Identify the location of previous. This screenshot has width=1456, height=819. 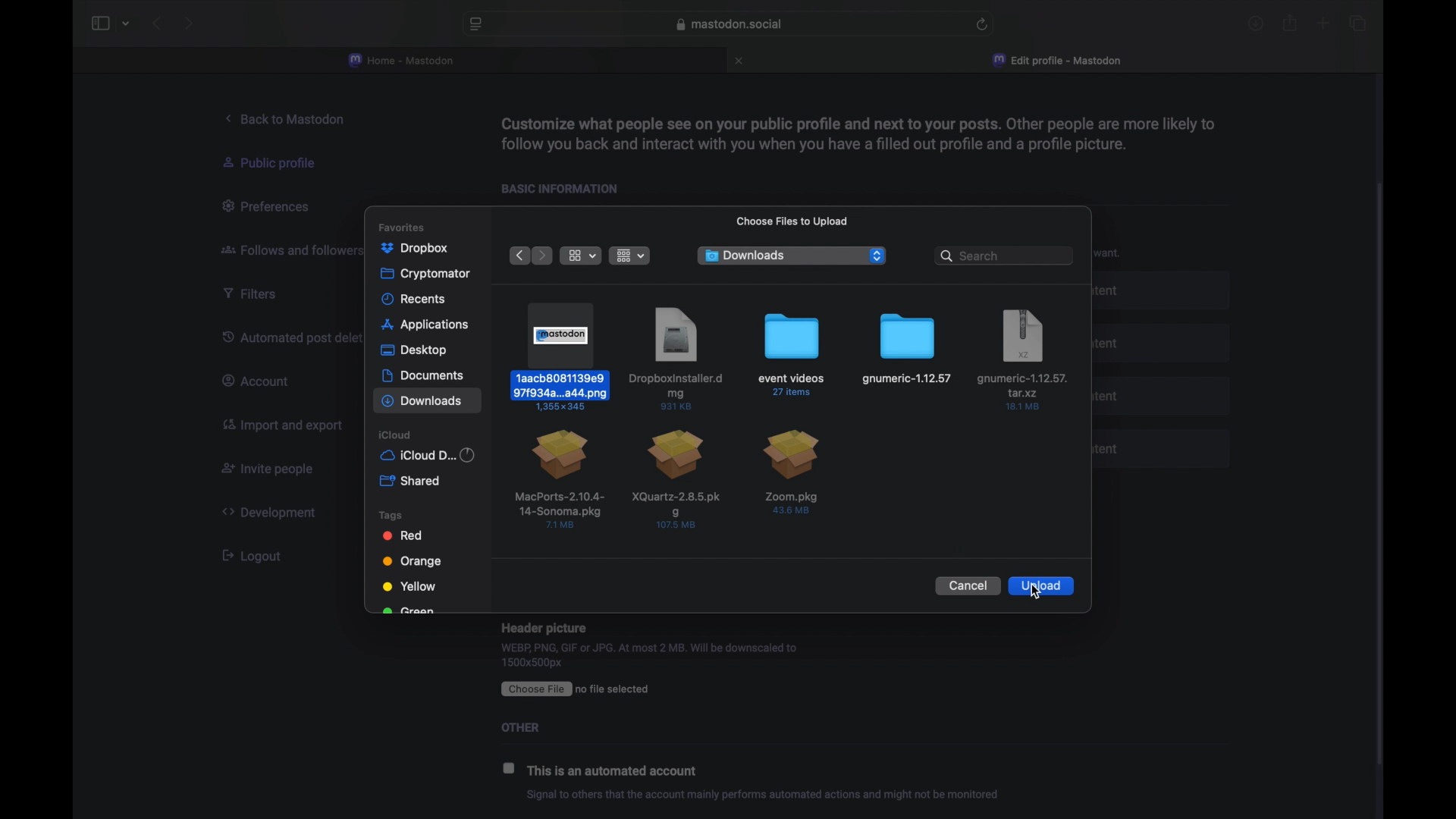
(518, 256).